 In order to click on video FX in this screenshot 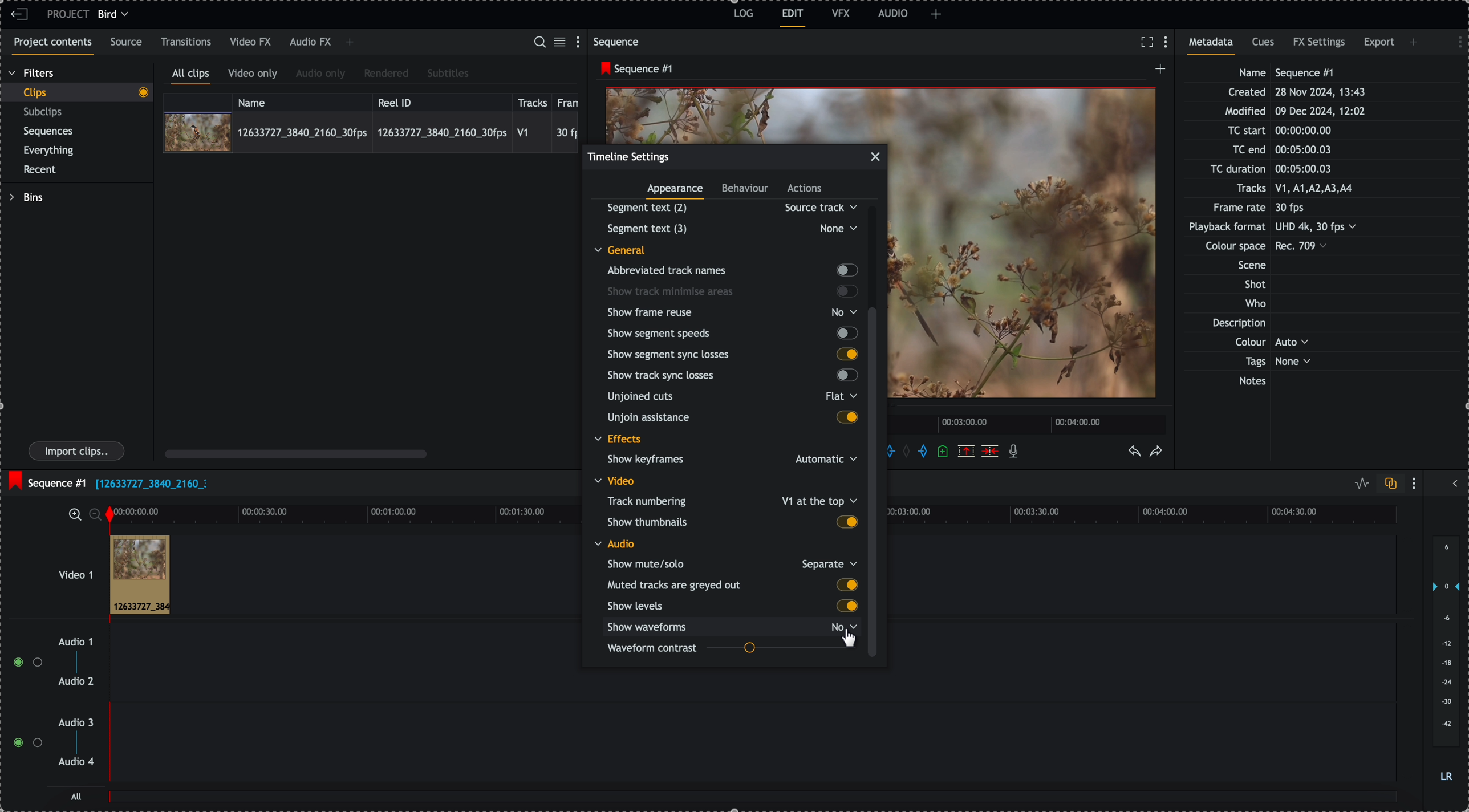, I will do `click(251, 42)`.